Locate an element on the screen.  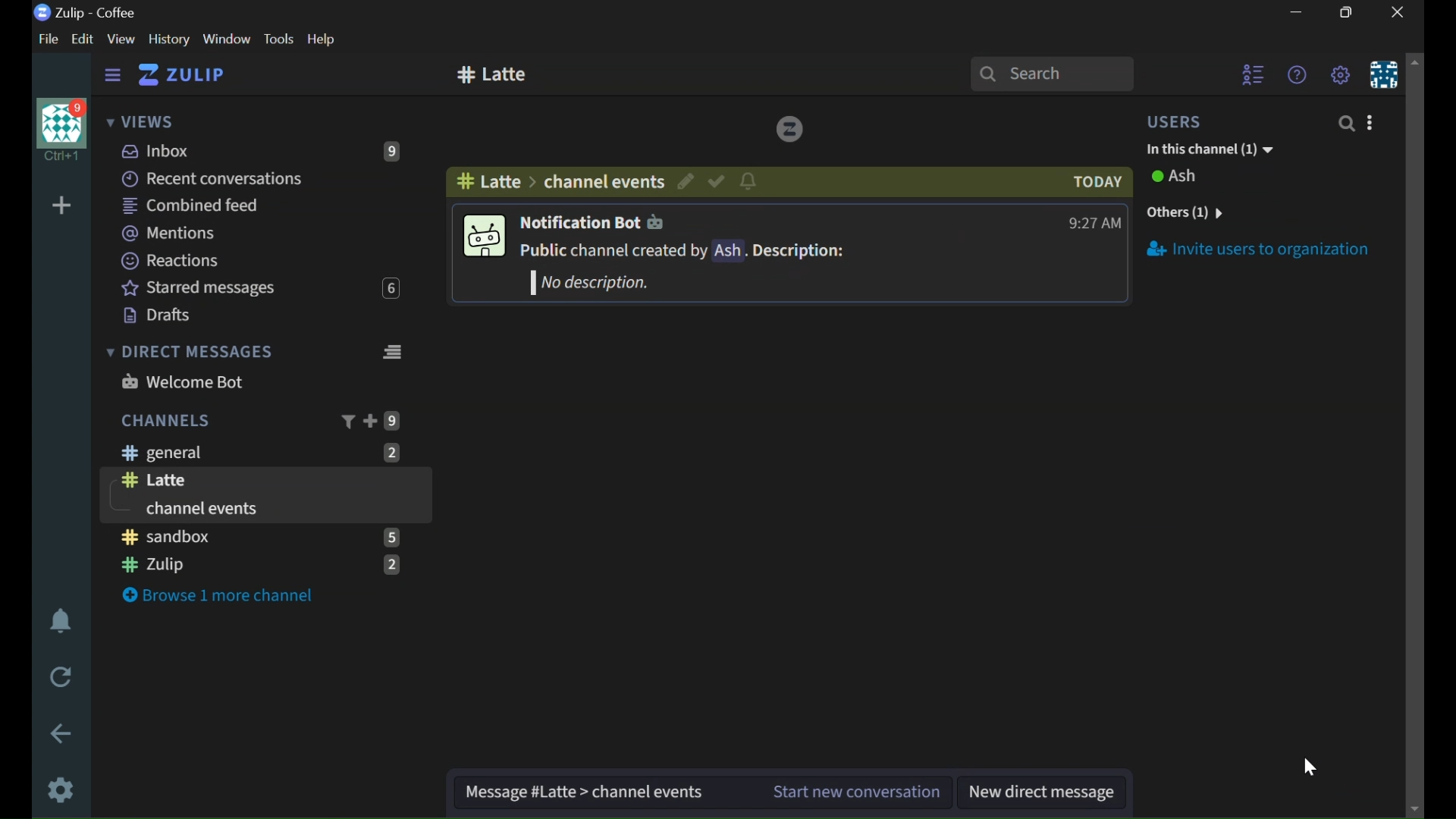
Configure topic notifications is located at coordinates (747, 181).